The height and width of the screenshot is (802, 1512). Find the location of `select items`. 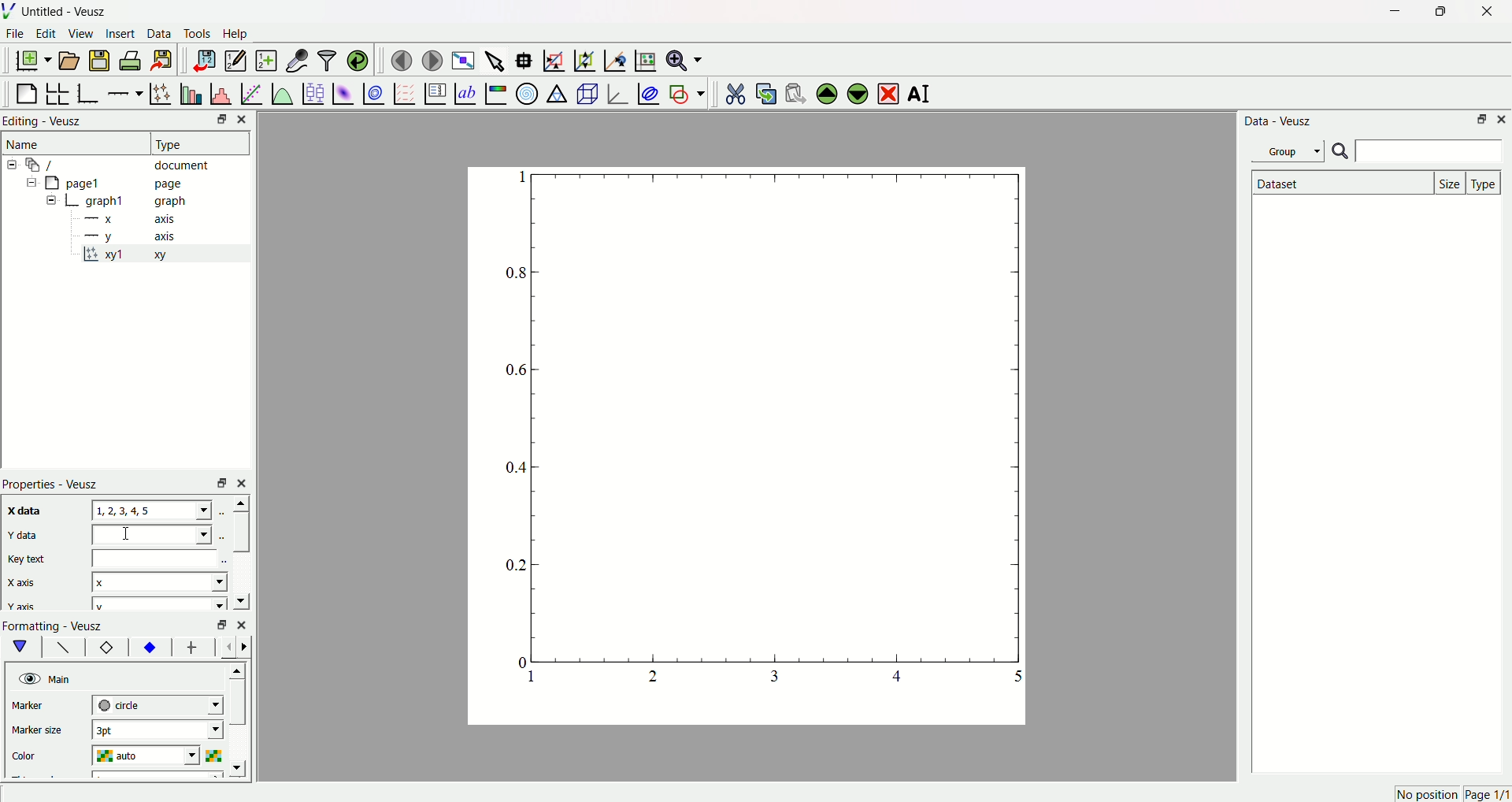

select items is located at coordinates (496, 58).